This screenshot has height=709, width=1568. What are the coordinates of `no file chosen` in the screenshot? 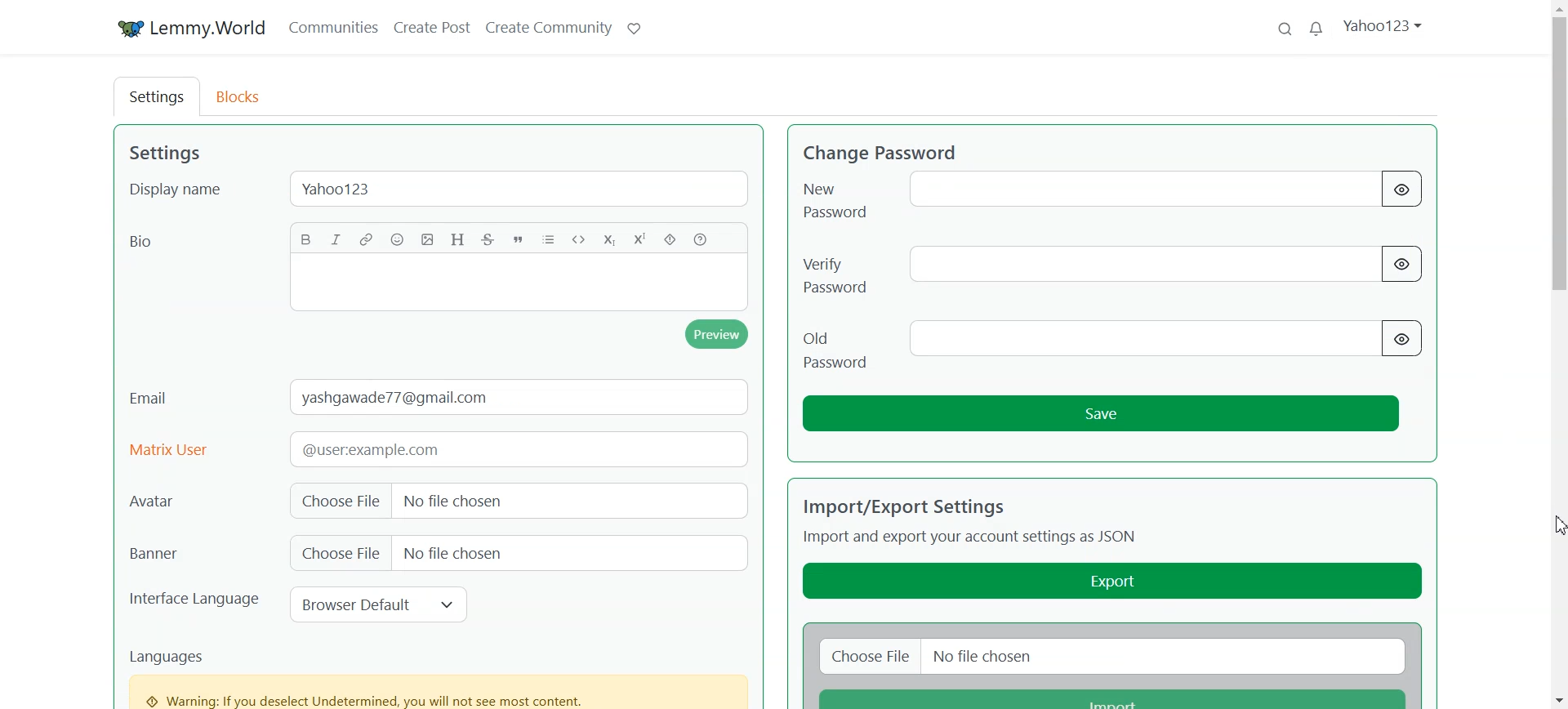 It's located at (1168, 656).